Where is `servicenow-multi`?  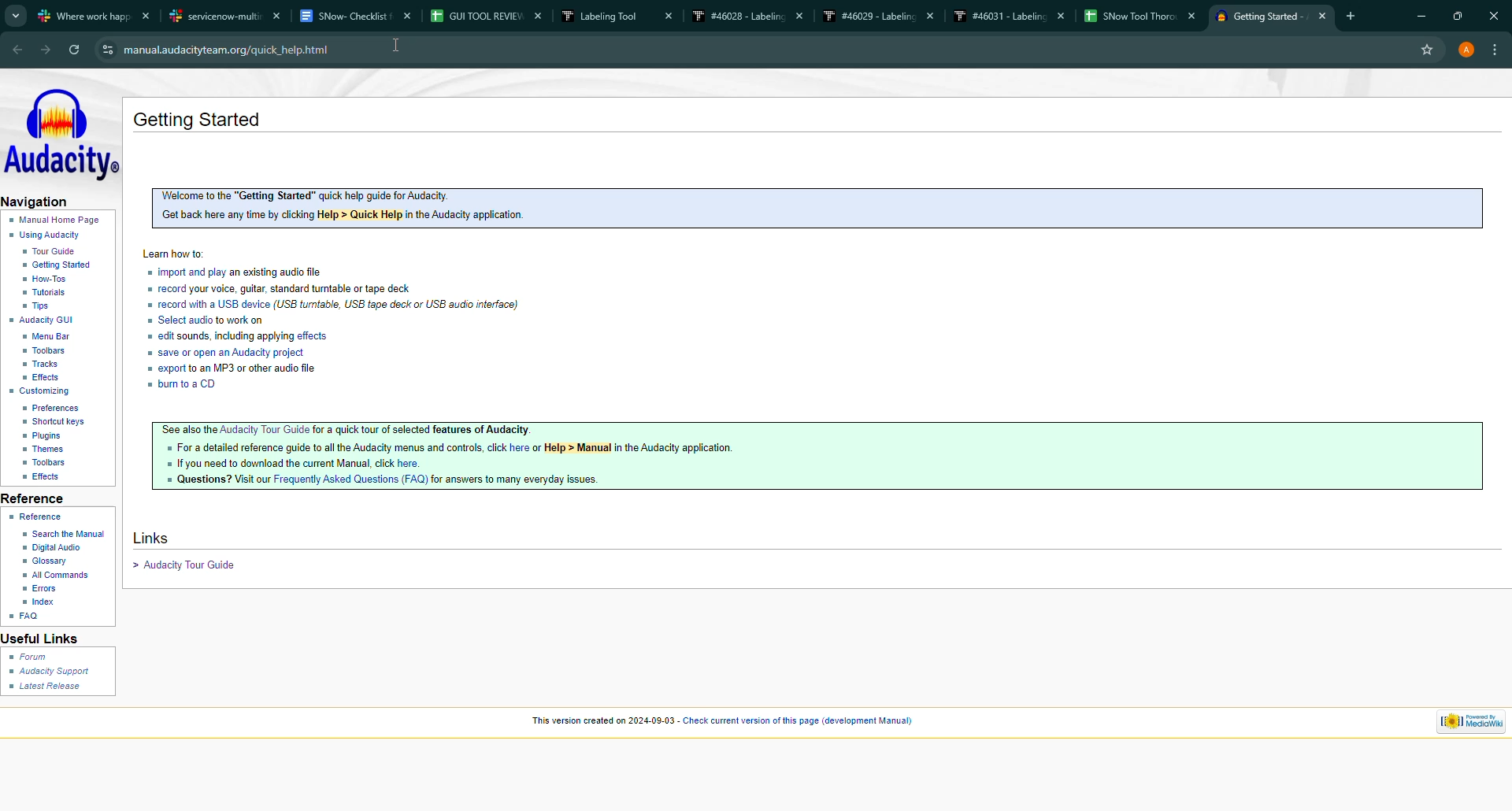
servicenow-multi is located at coordinates (222, 17).